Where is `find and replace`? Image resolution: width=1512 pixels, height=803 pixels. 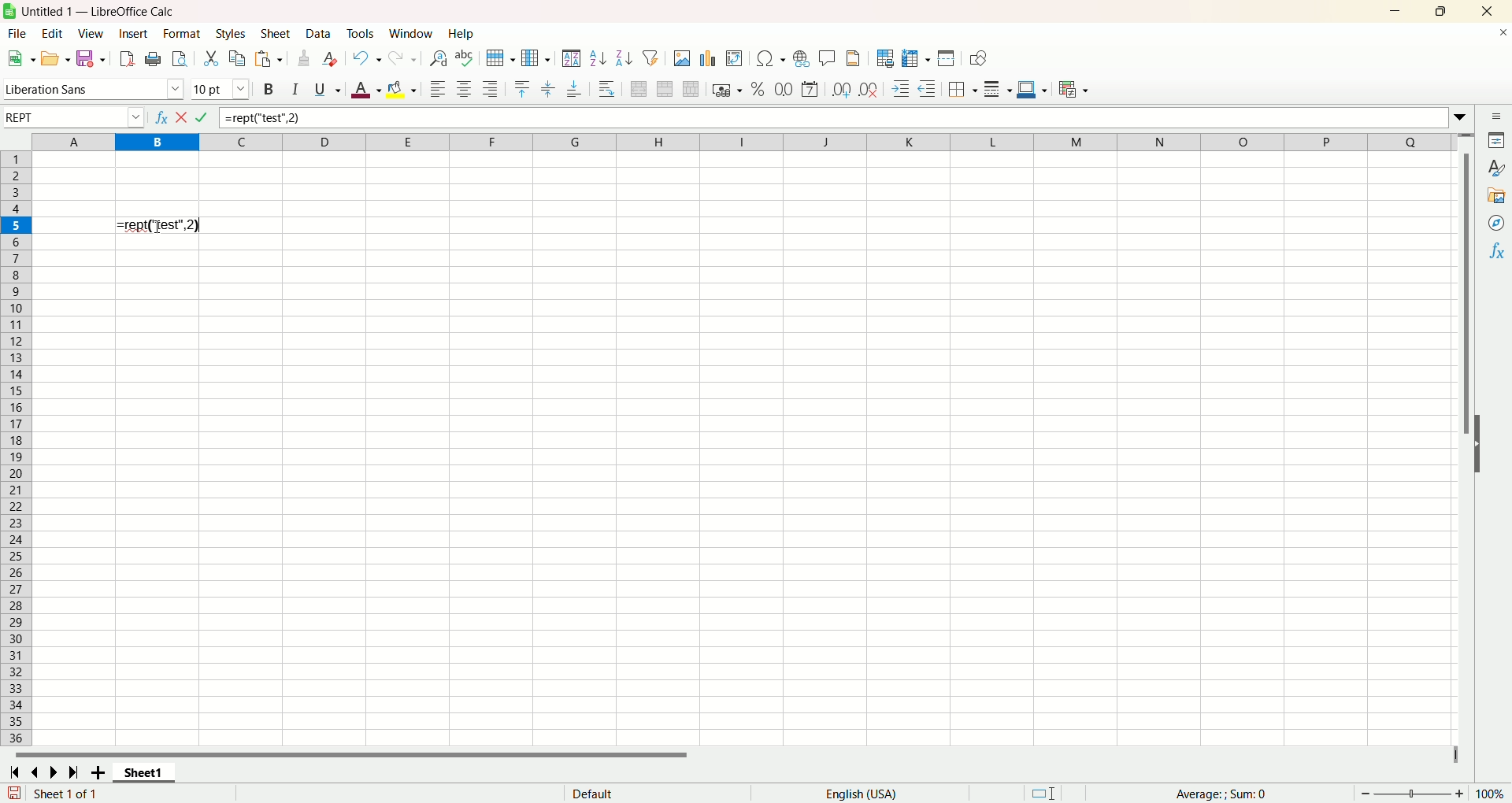
find and replace is located at coordinates (436, 59).